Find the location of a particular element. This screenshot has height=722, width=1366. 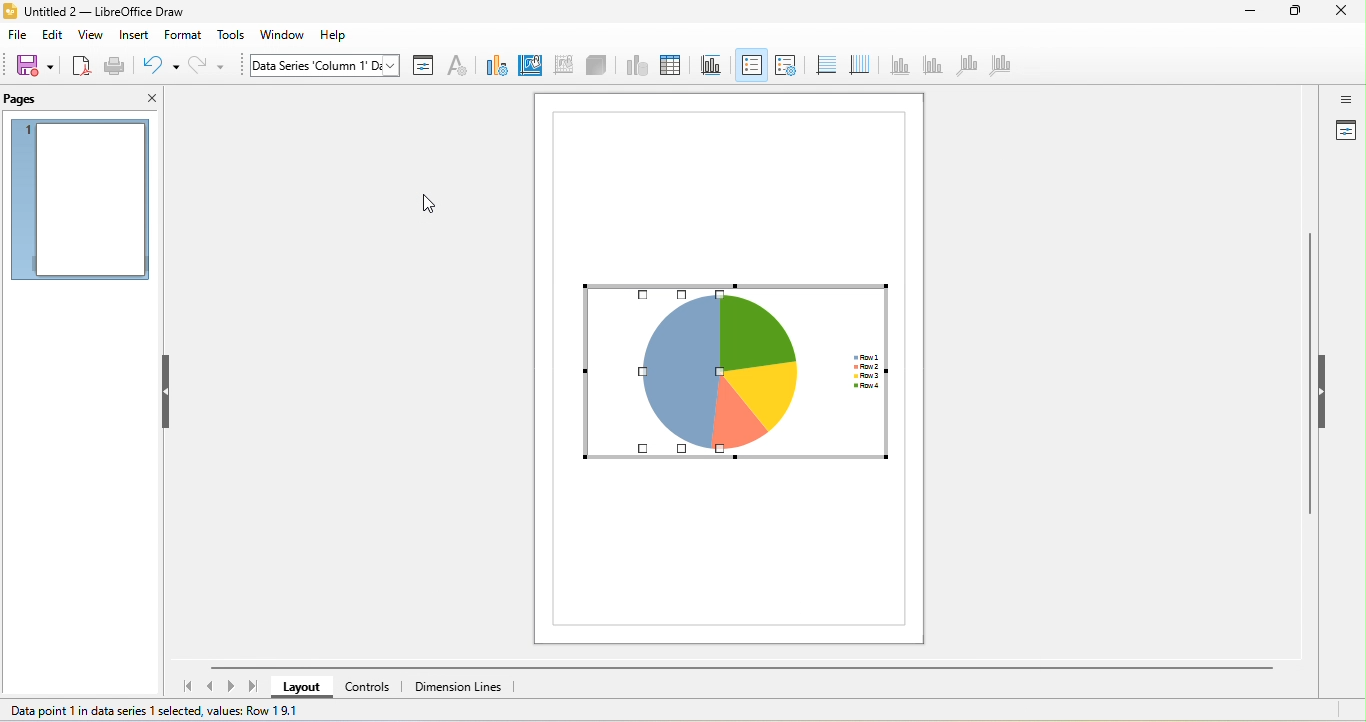

format is located at coordinates (184, 34).